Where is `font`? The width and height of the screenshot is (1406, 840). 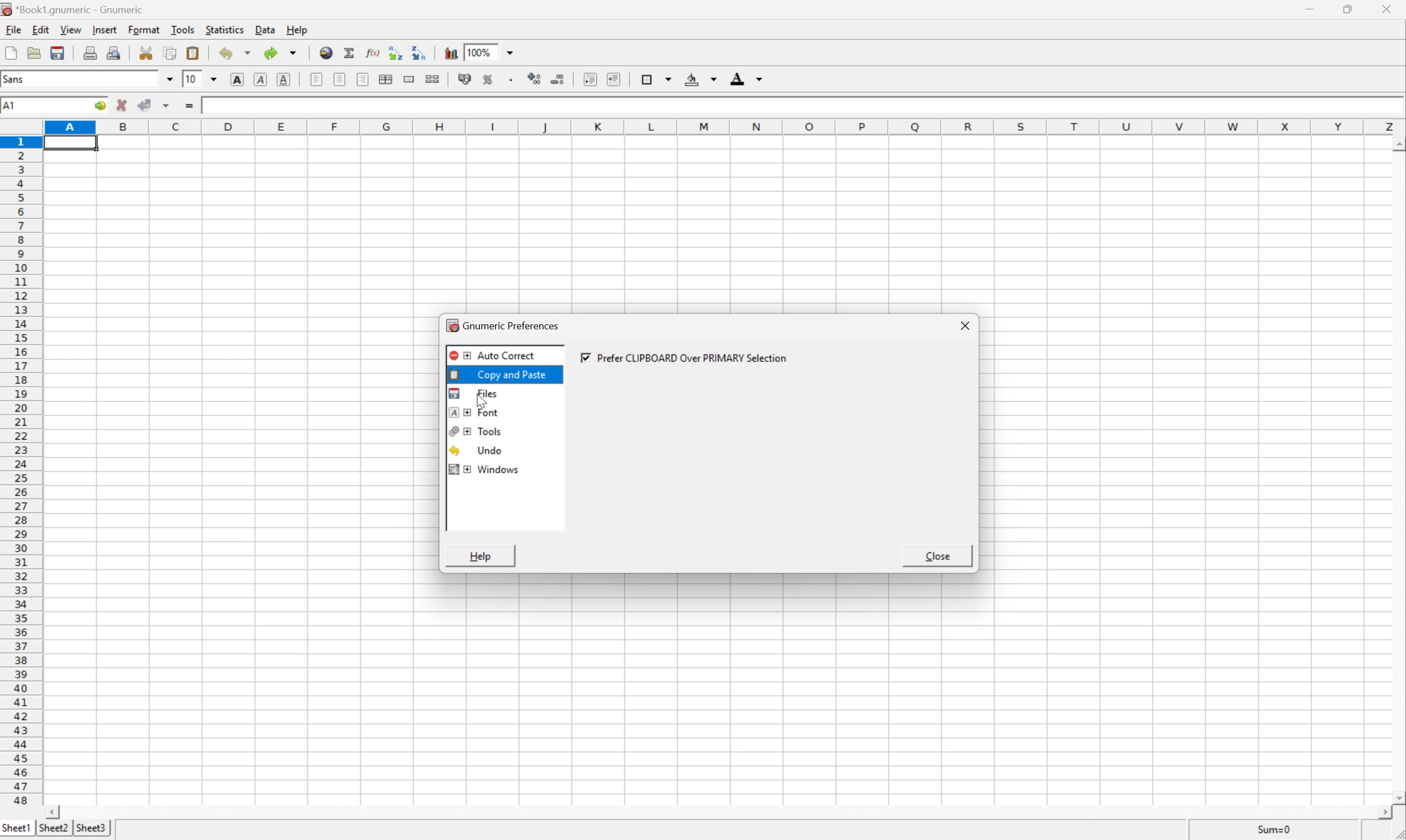 font is located at coordinates (474, 412).